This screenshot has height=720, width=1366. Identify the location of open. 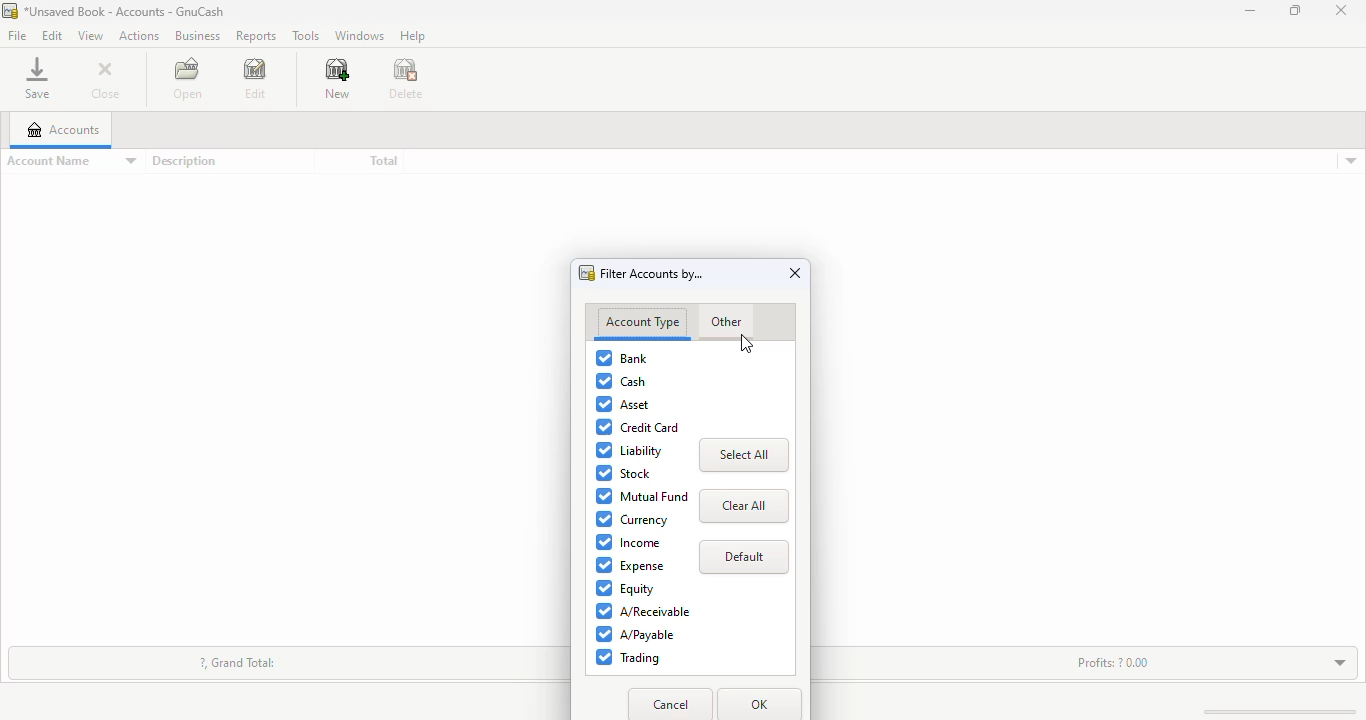
(187, 78).